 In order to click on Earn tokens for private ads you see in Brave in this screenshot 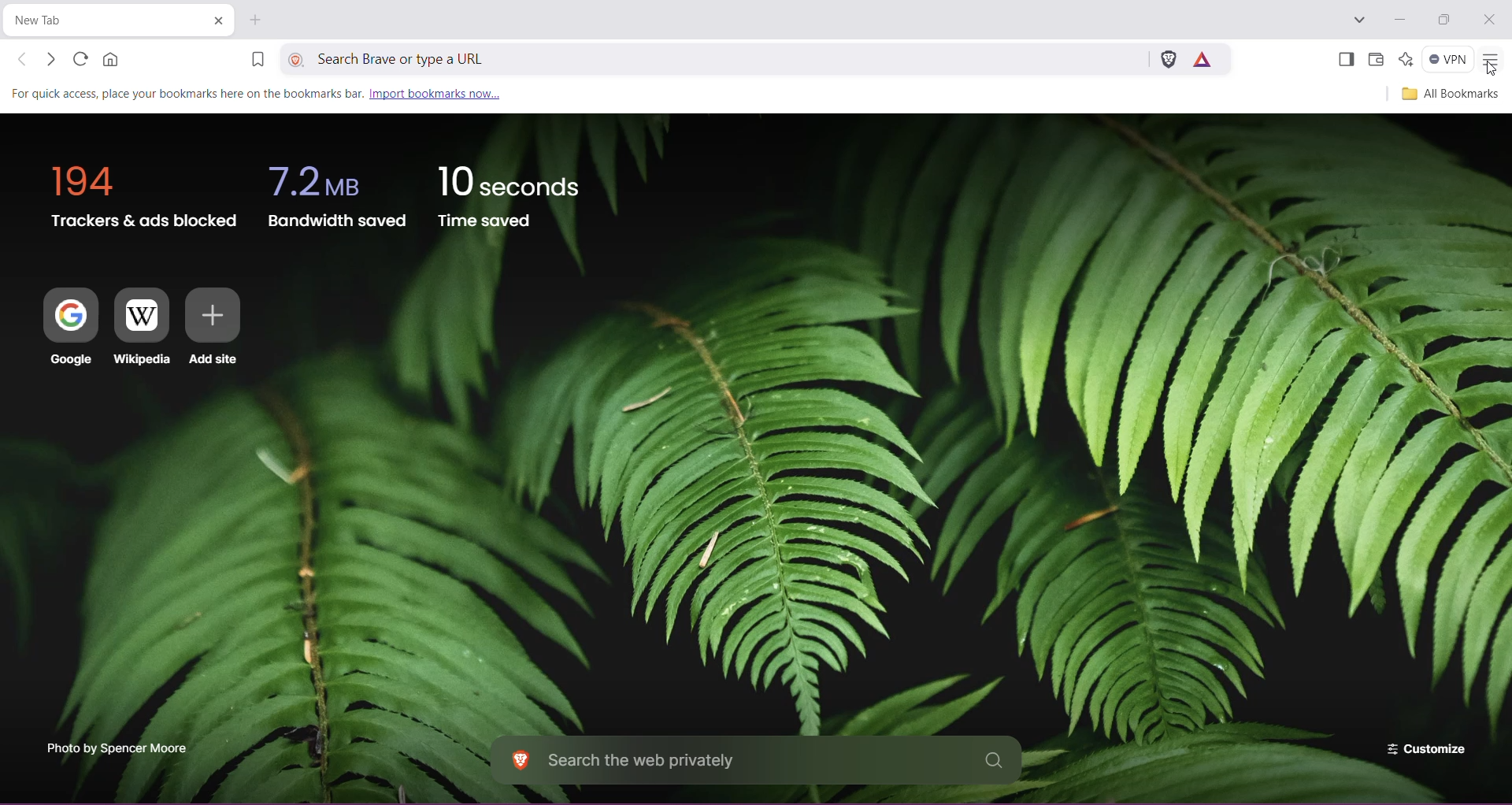, I will do `click(1202, 58)`.